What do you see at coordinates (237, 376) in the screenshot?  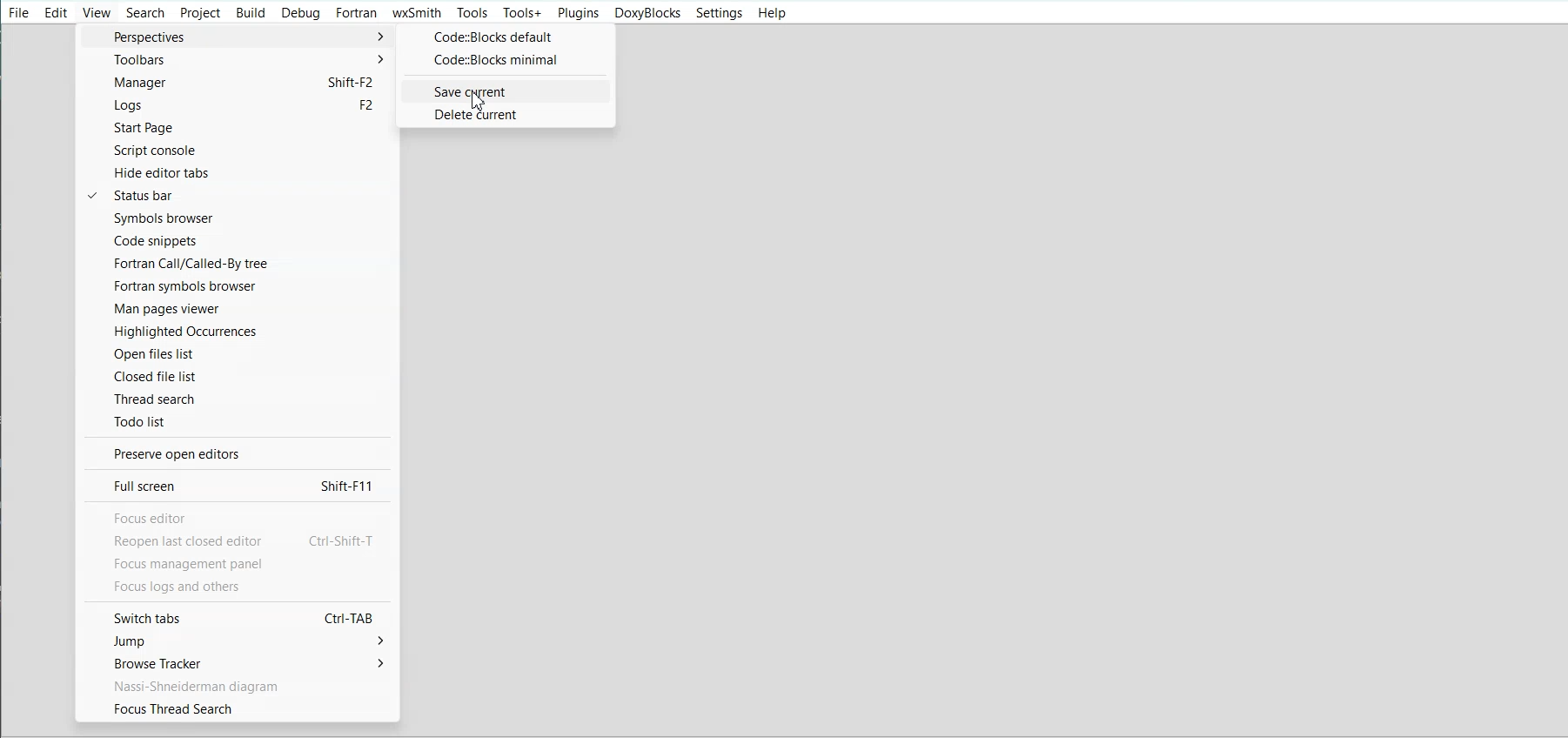 I see `Closed file list` at bounding box center [237, 376].